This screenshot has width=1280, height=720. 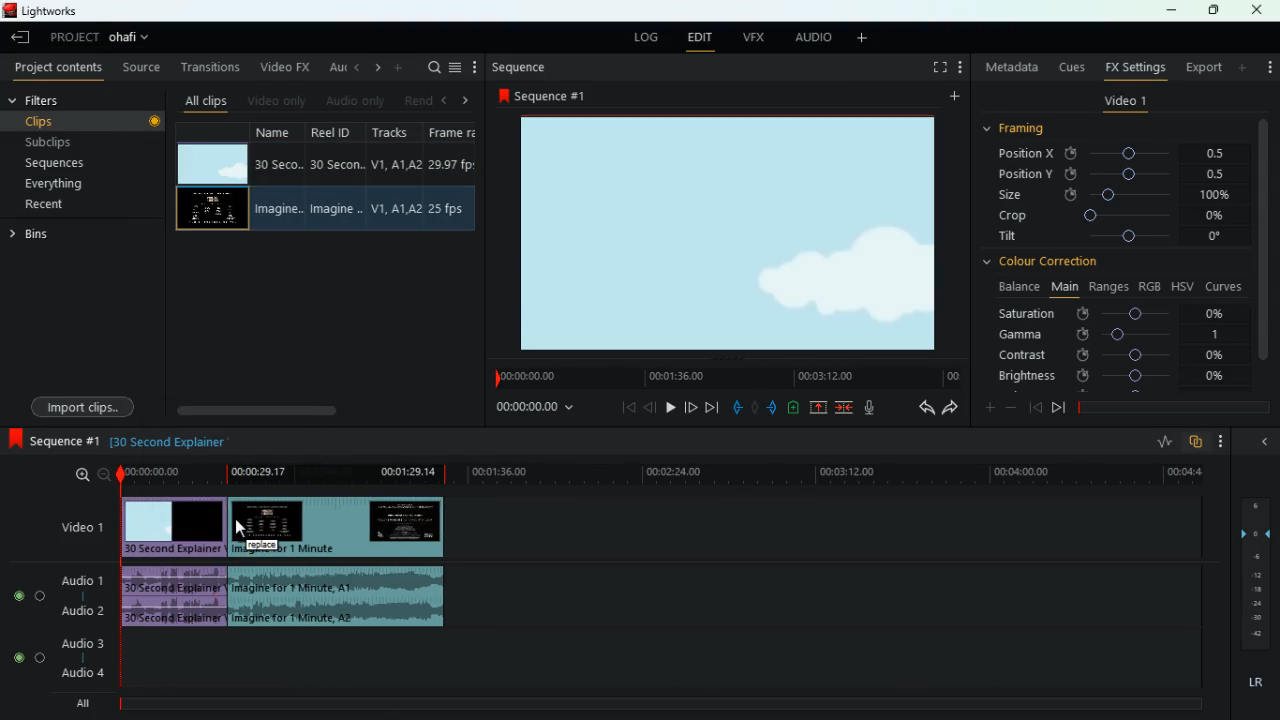 I want to click on audio 2, so click(x=80, y=611).